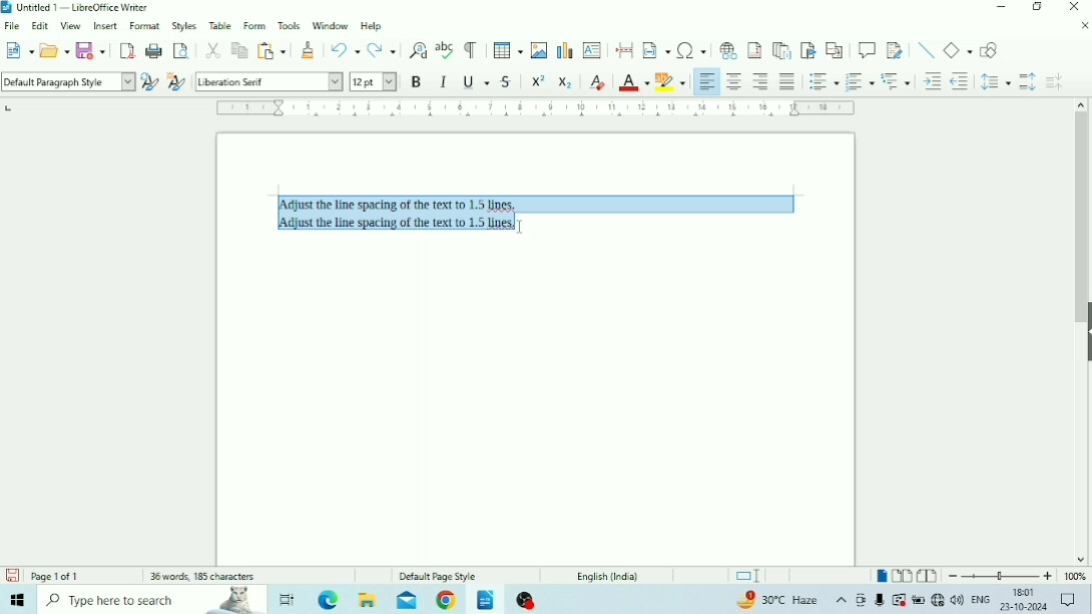 The height and width of the screenshot is (614, 1092). What do you see at coordinates (92, 51) in the screenshot?
I see `Save` at bounding box center [92, 51].